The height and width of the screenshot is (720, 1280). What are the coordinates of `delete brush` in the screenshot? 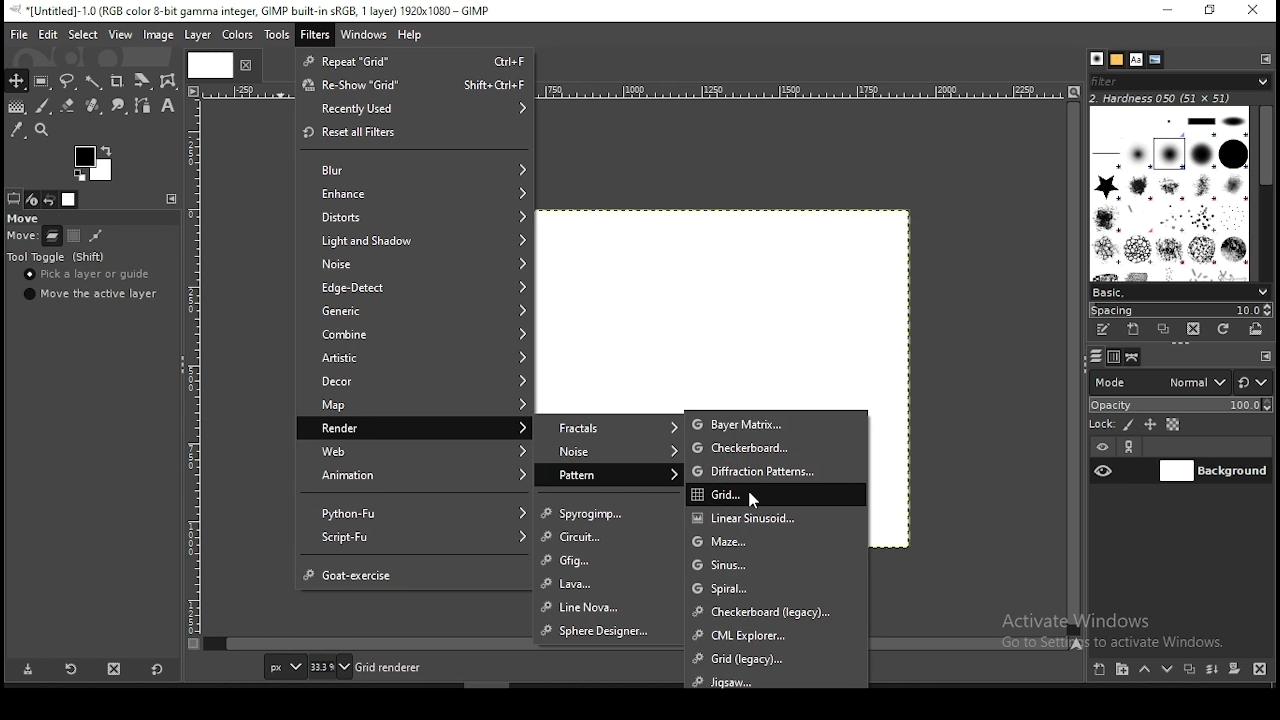 It's located at (1194, 330).